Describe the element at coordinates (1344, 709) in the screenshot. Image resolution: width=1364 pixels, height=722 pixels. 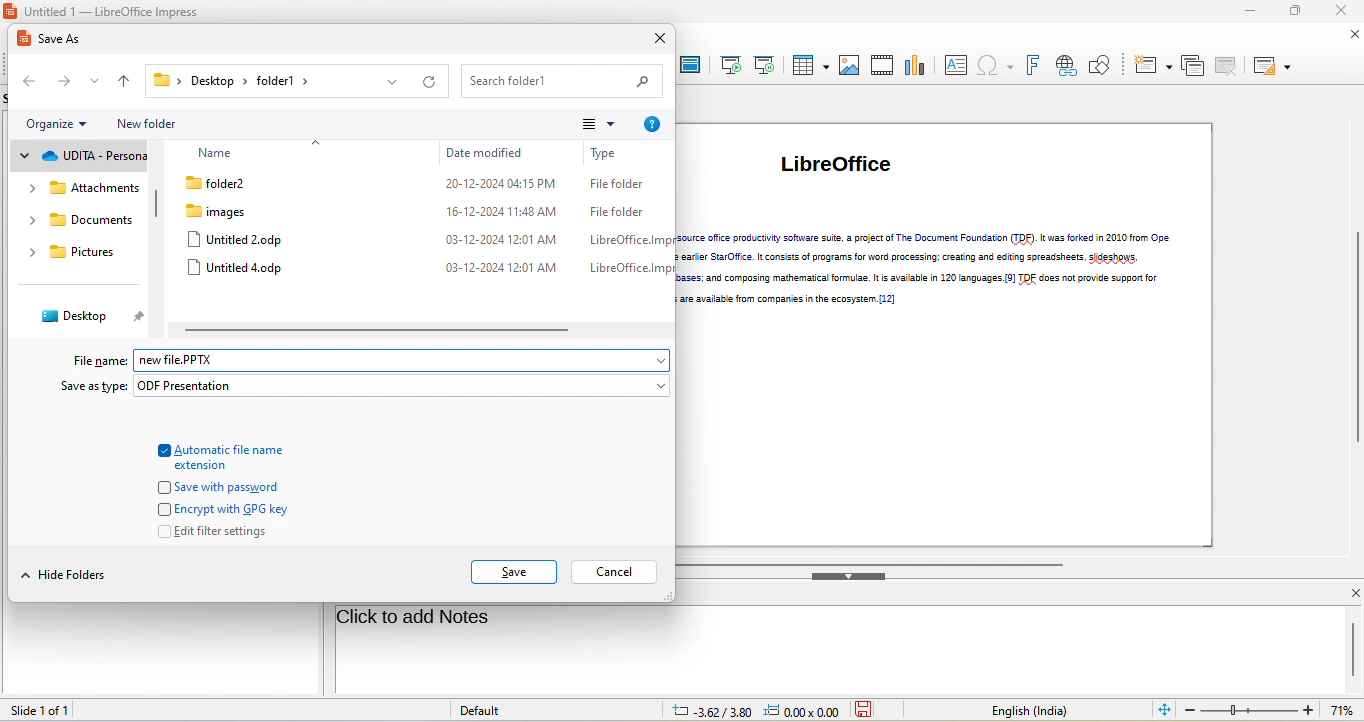
I see `current zoom: 71%` at that location.